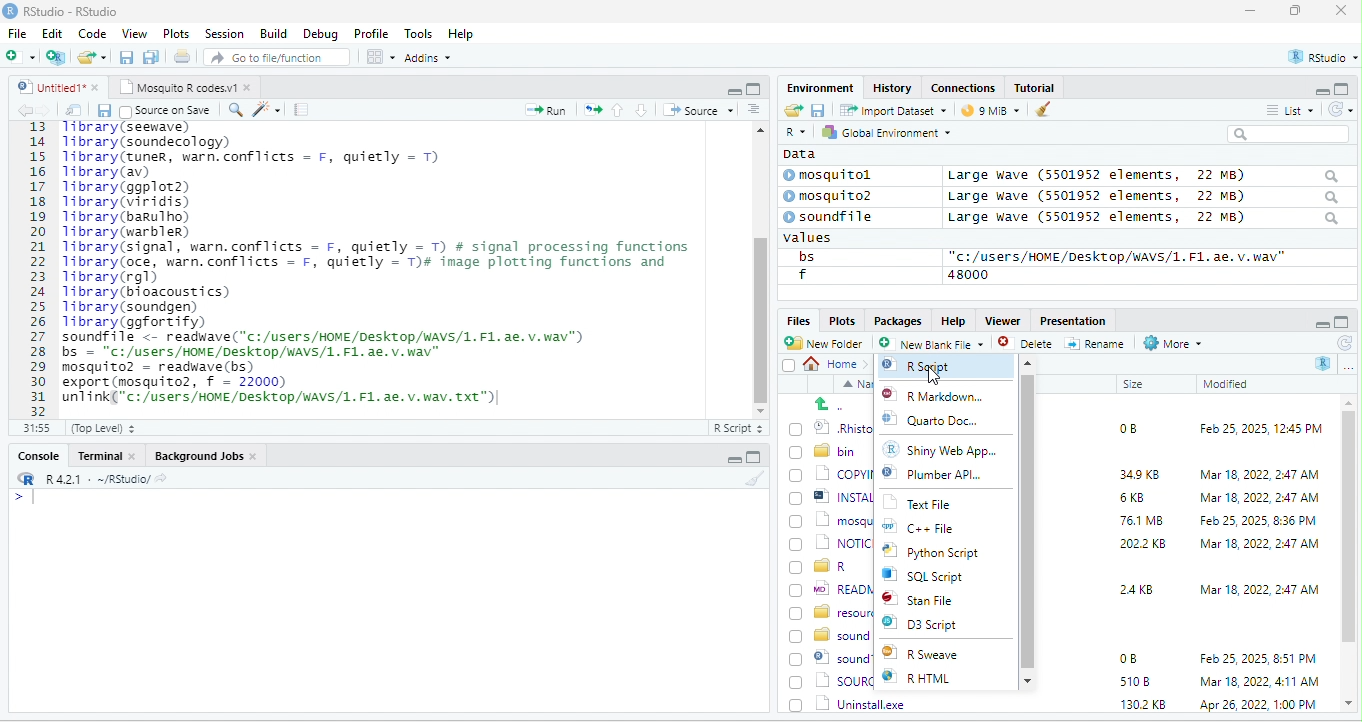 Image resolution: width=1362 pixels, height=722 pixels. What do you see at coordinates (830, 659) in the screenshot?
I see `© sound1R` at bounding box center [830, 659].